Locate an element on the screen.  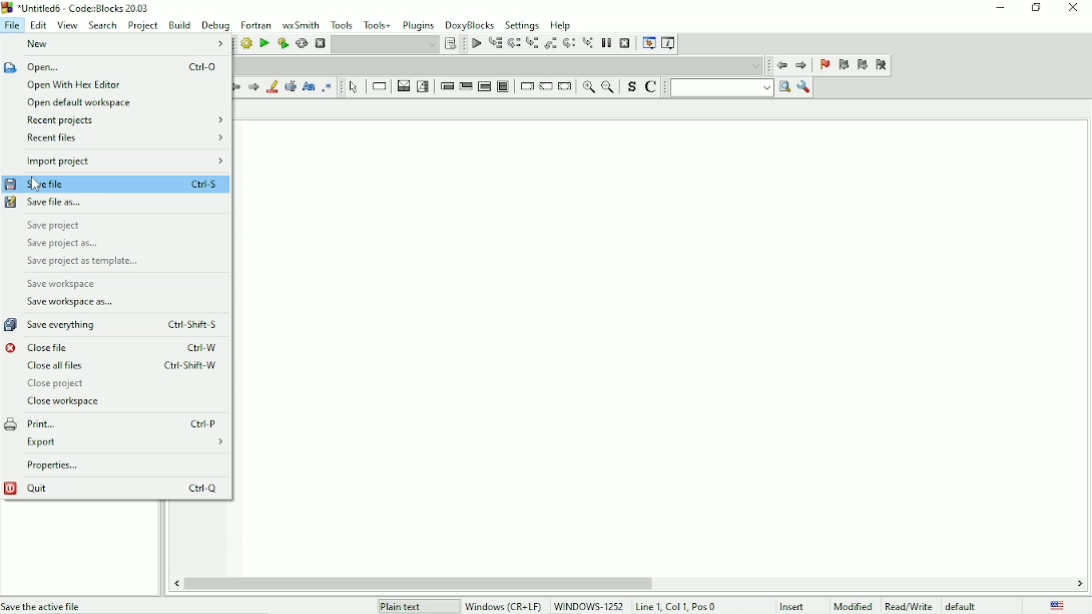
Jump back is located at coordinates (781, 66).